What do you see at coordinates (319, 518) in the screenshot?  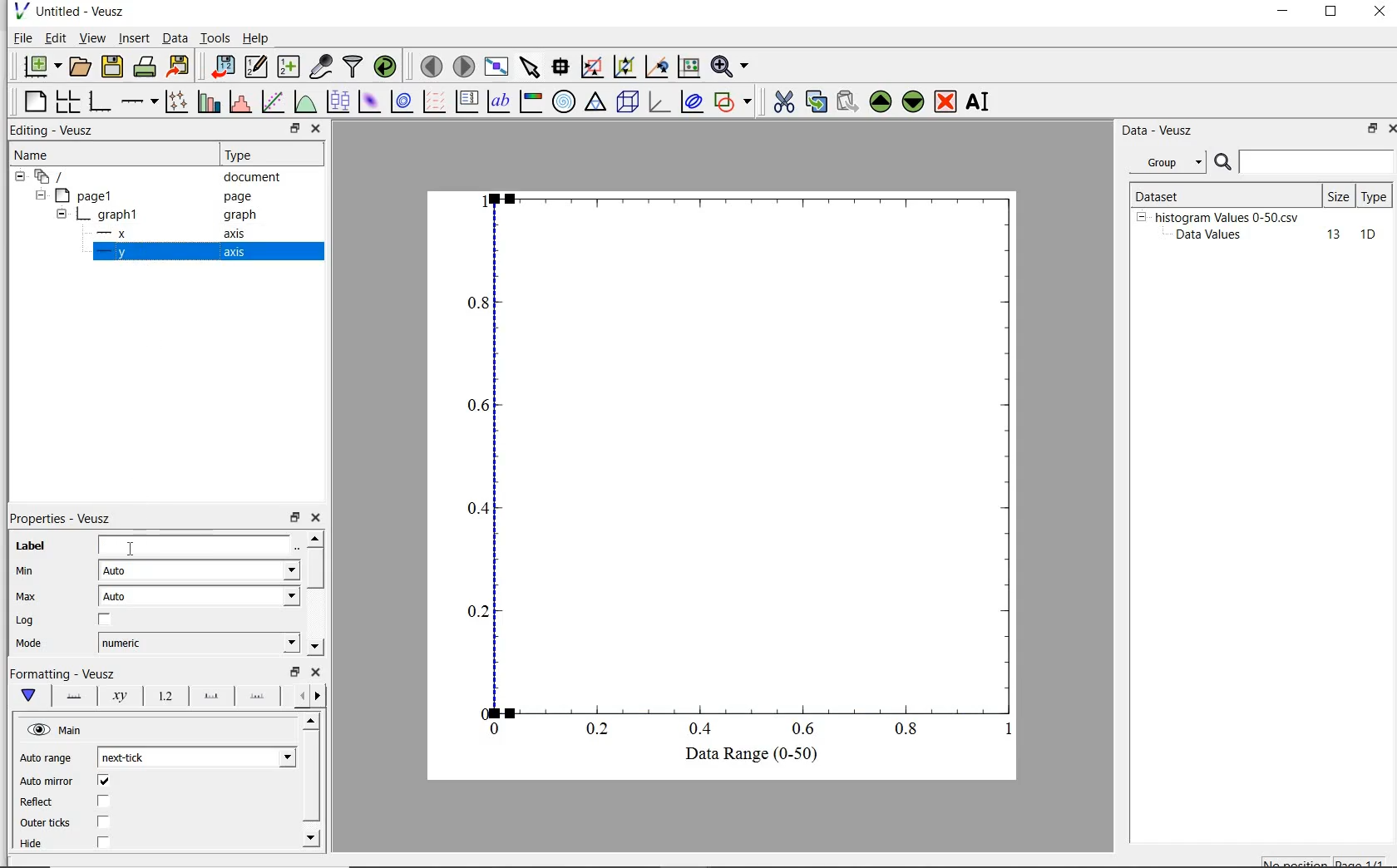 I see `close` at bounding box center [319, 518].